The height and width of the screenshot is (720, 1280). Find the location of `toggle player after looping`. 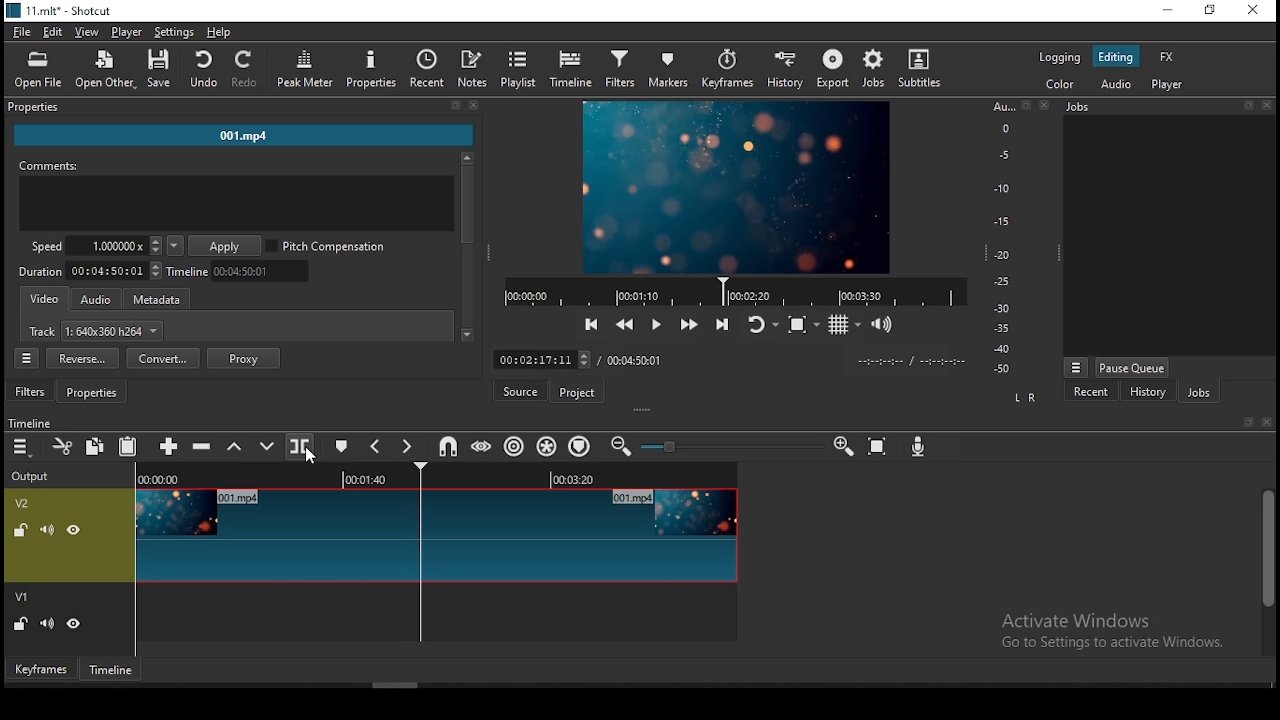

toggle player after looping is located at coordinates (763, 322).